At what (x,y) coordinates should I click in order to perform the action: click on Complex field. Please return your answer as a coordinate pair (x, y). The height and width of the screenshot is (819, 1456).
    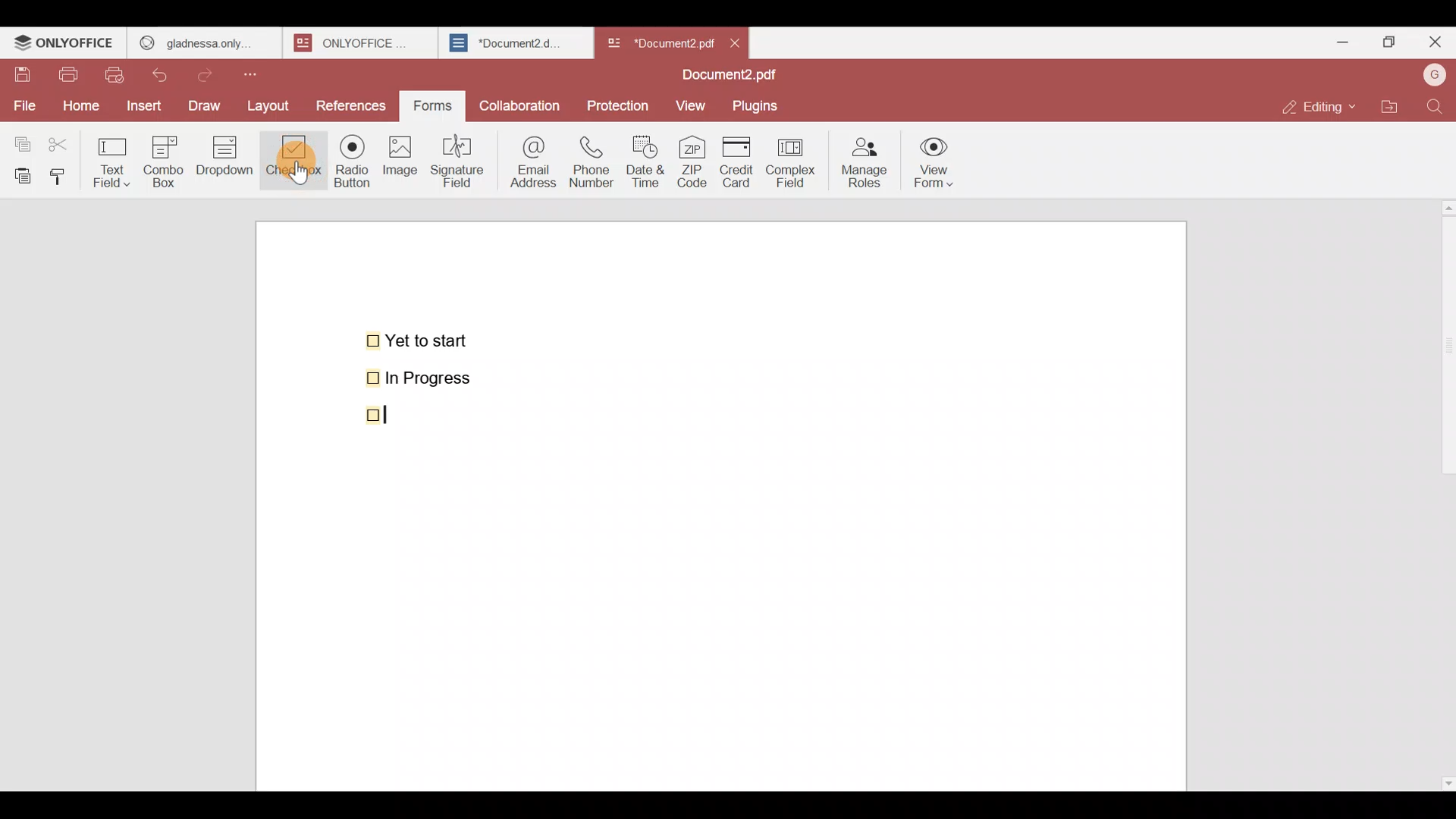
    Looking at the image, I should click on (789, 164).